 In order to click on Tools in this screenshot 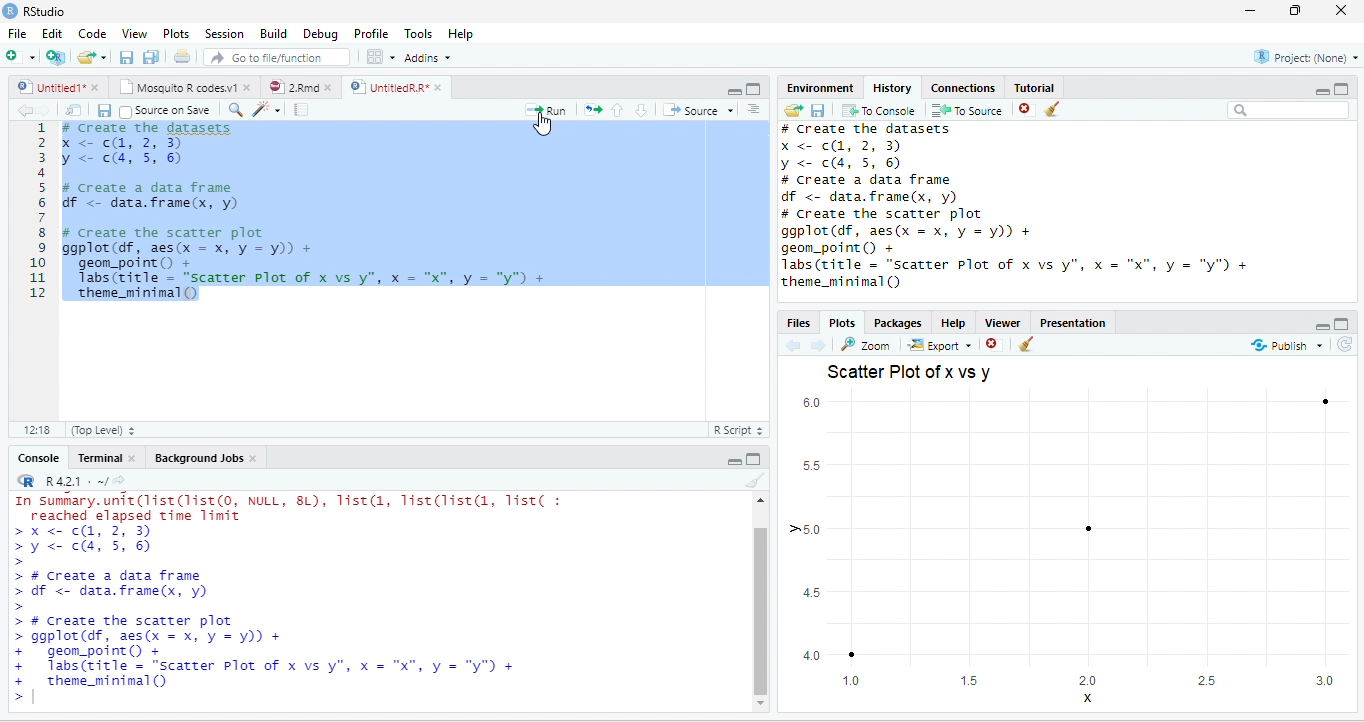, I will do `click(419, 33)`.